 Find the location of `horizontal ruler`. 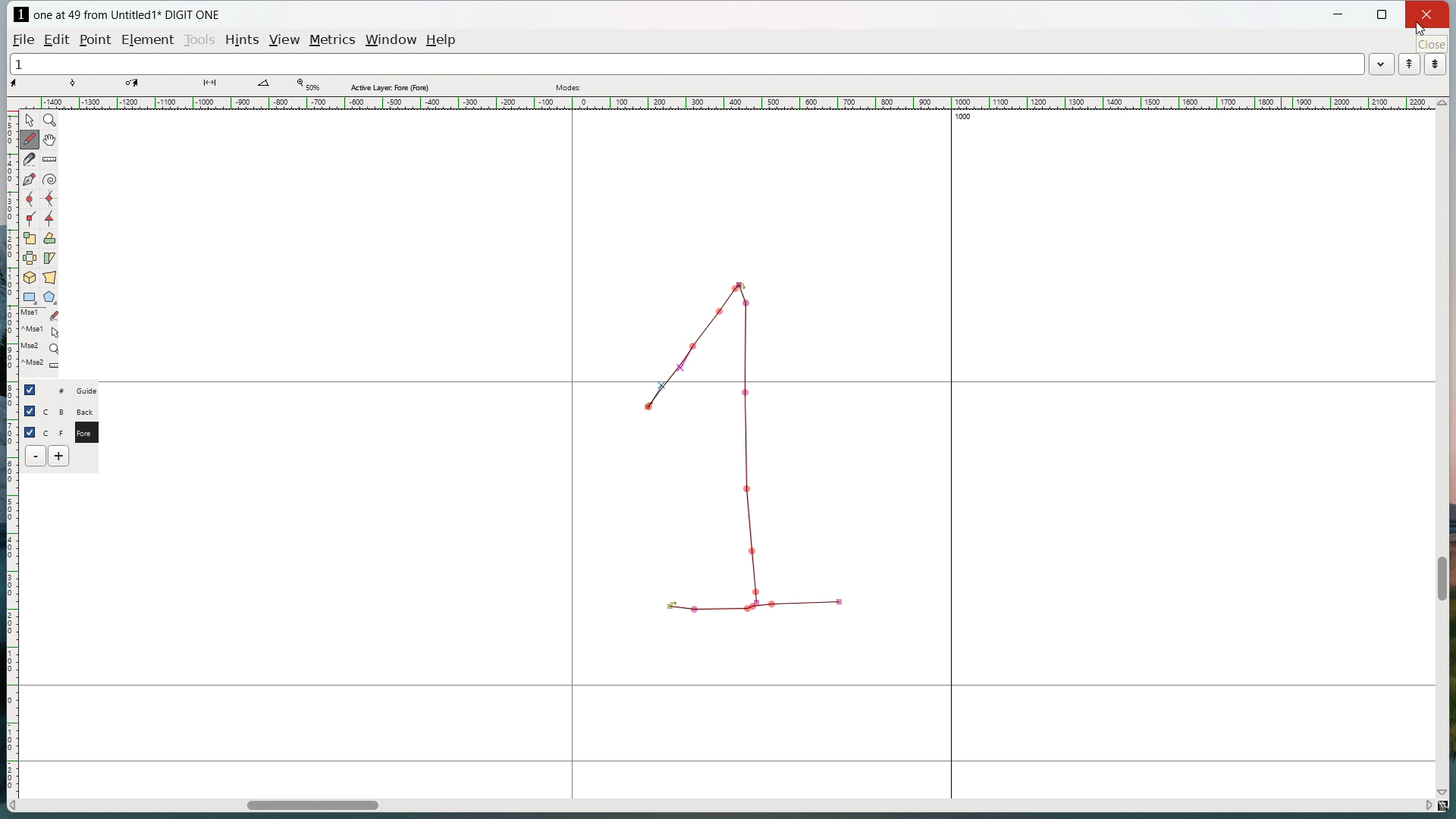

horizontal ruler is located at coordinates (725, 103).